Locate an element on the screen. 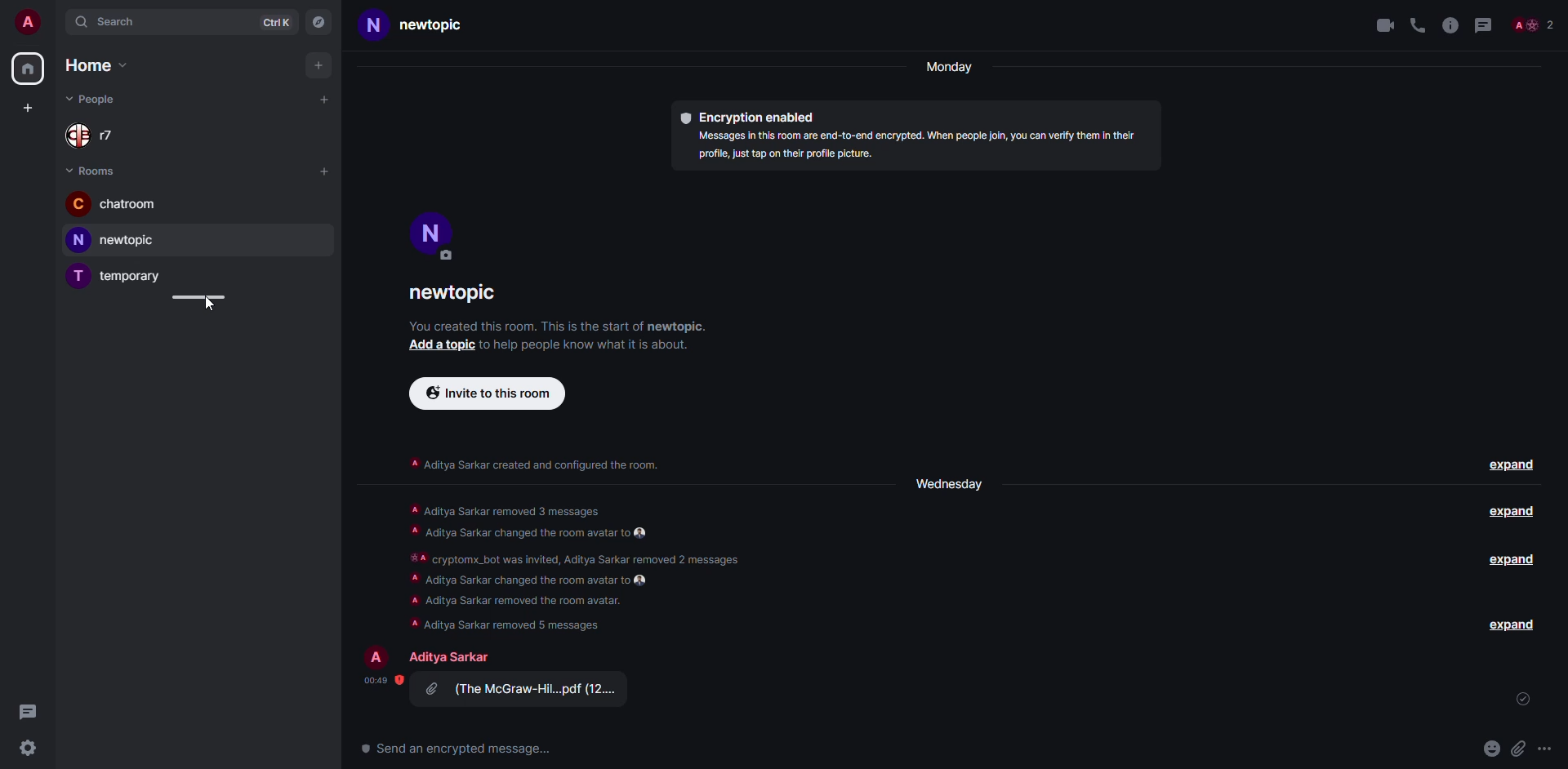 The image size is (1568, 769). add is located at coordinates (323, 101).